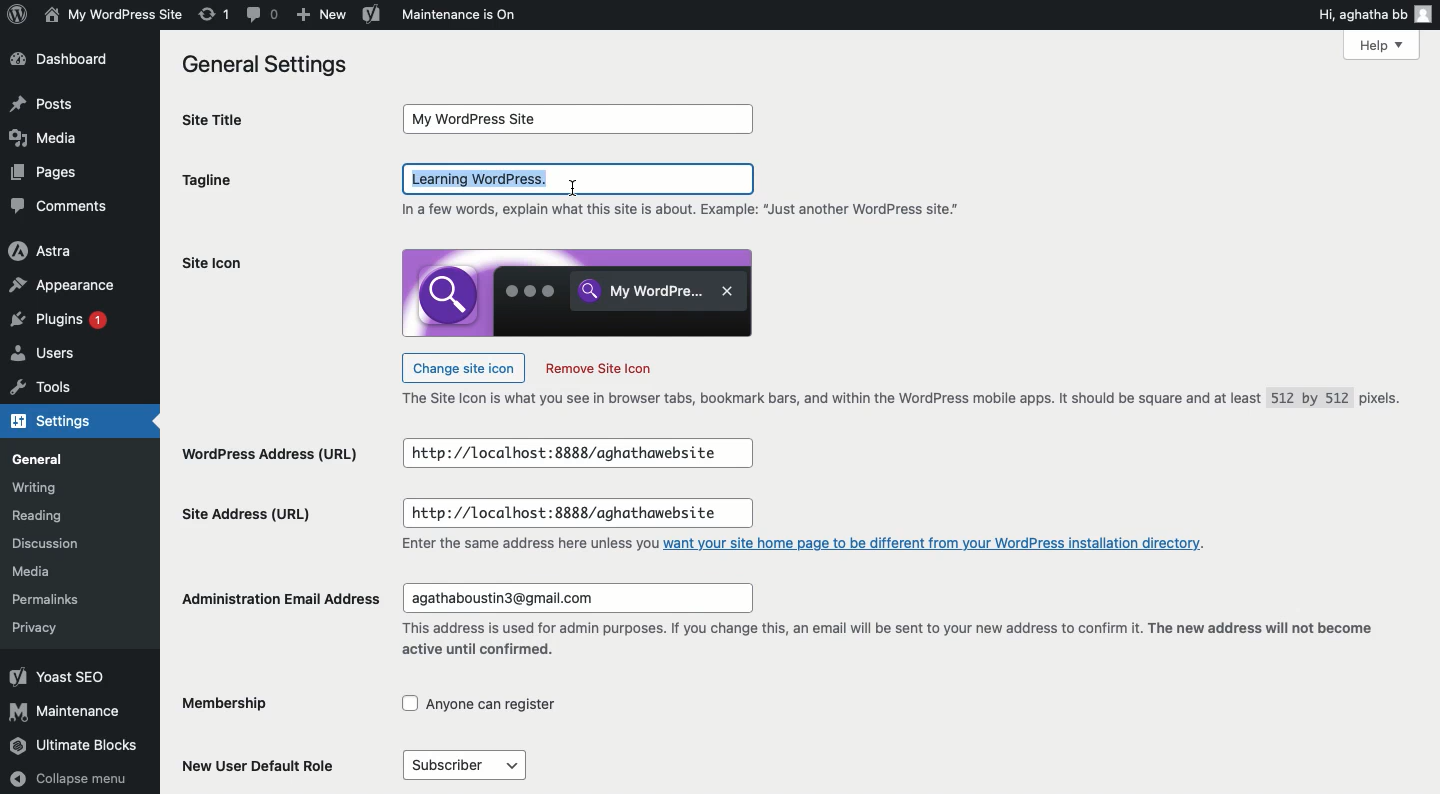  Describe the element at coordinates (67, 711) in the screenshot. I see `Maintenance` at that location.